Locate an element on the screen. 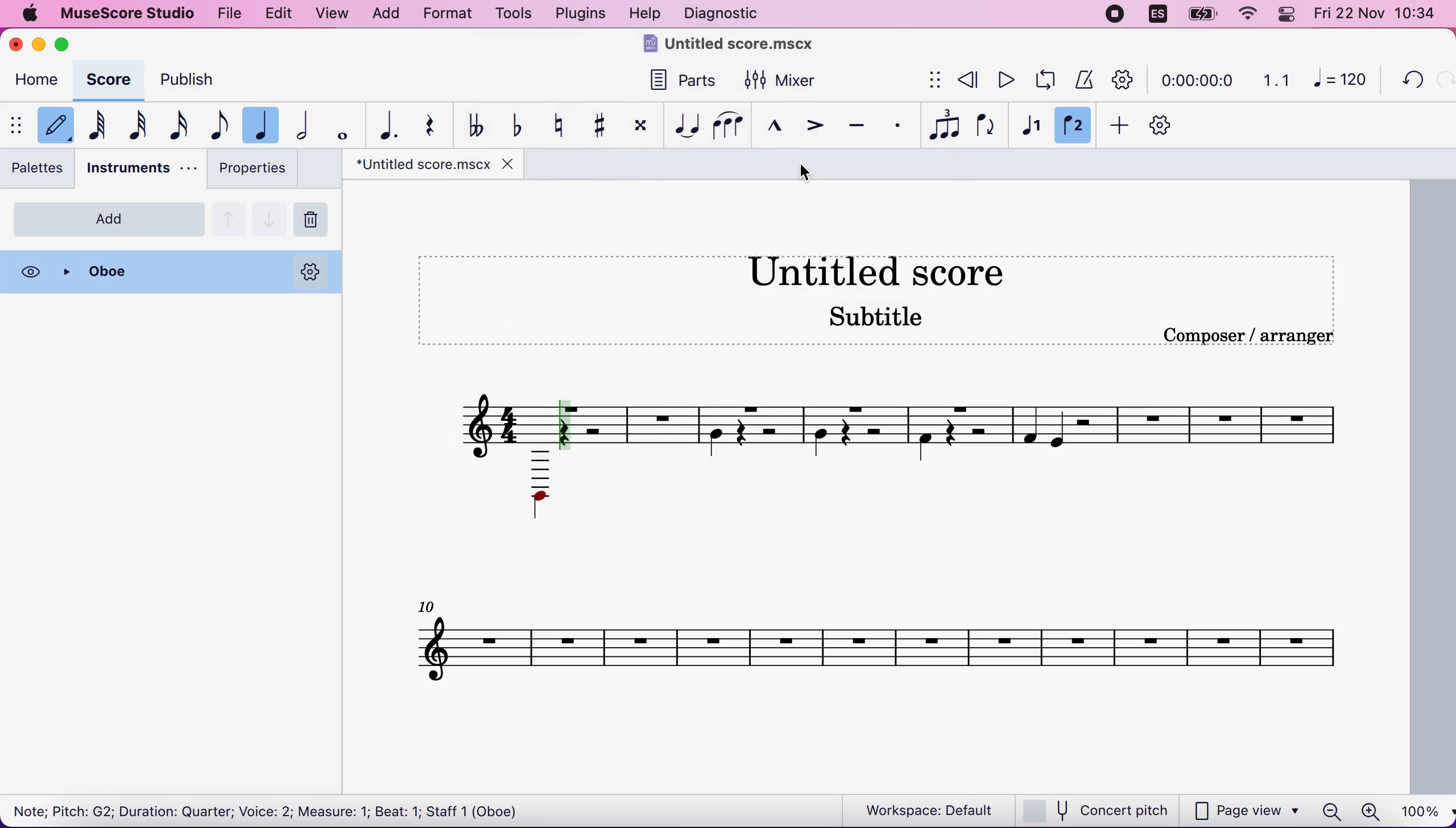 The width and height of the screenshot is (1456, 828). accent is located at coordinates (816, 127).